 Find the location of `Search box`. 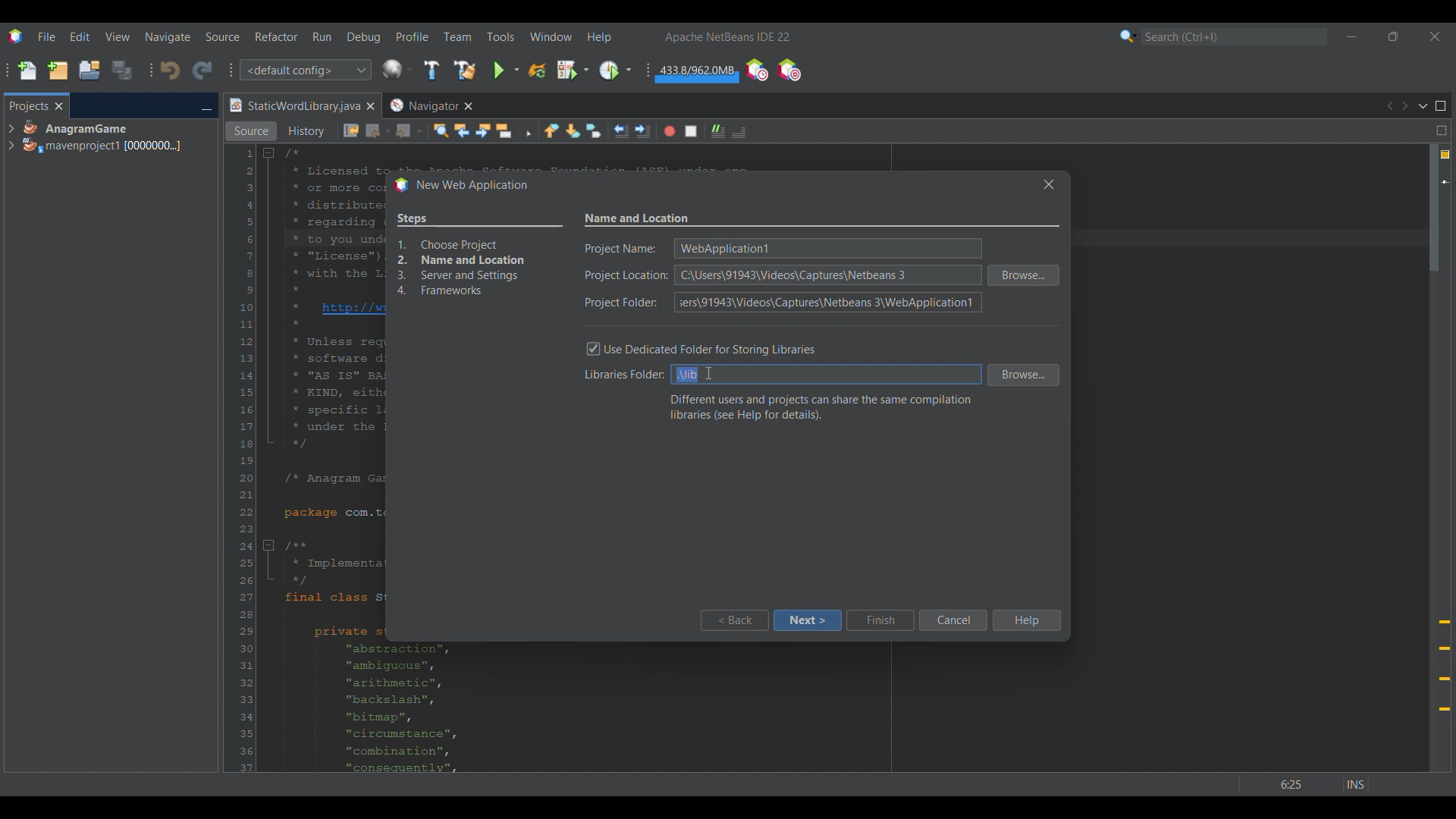

Search box is located at coordinates (1235, 36).